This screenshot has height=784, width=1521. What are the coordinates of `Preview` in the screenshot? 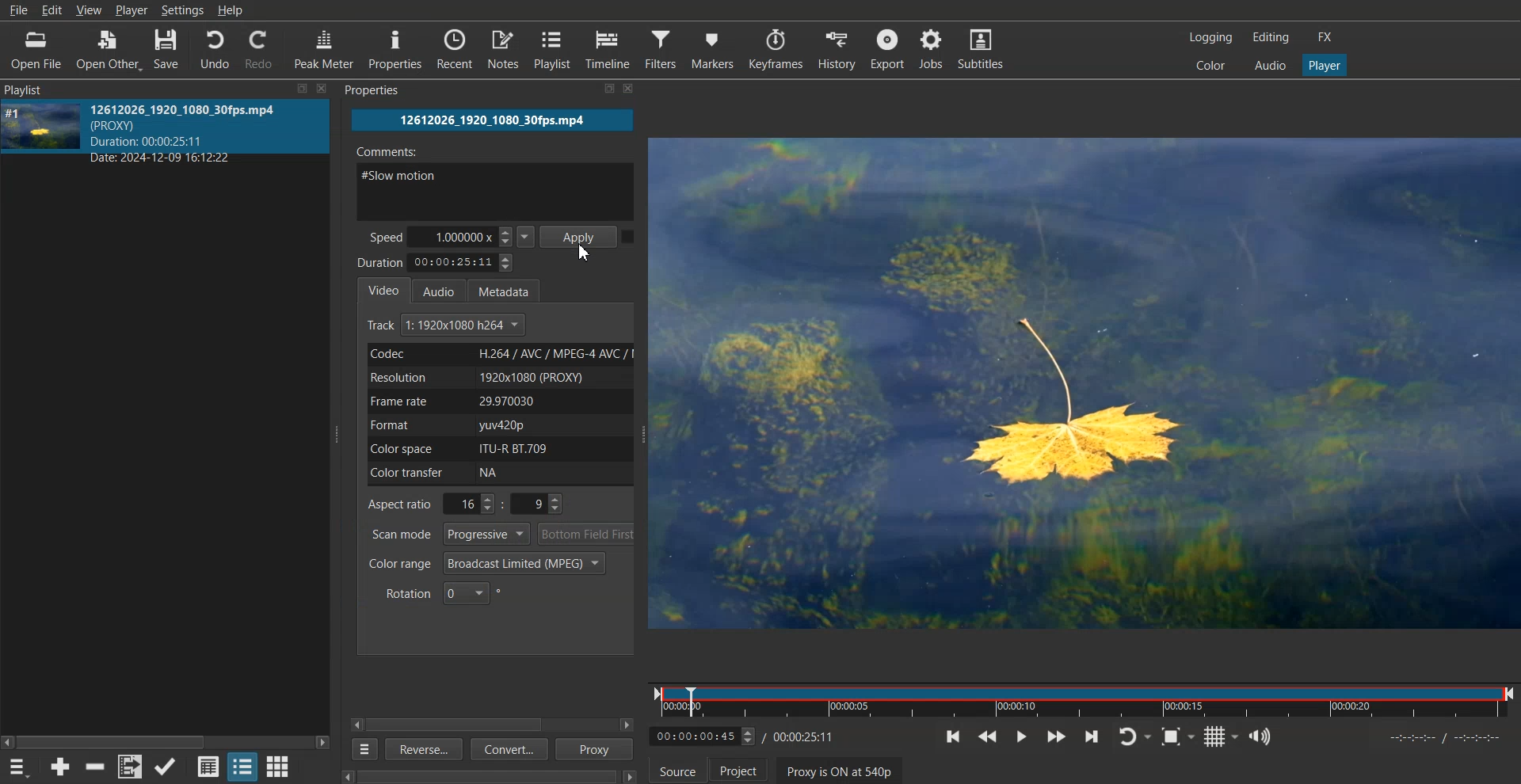 It's located at (1088, 384).